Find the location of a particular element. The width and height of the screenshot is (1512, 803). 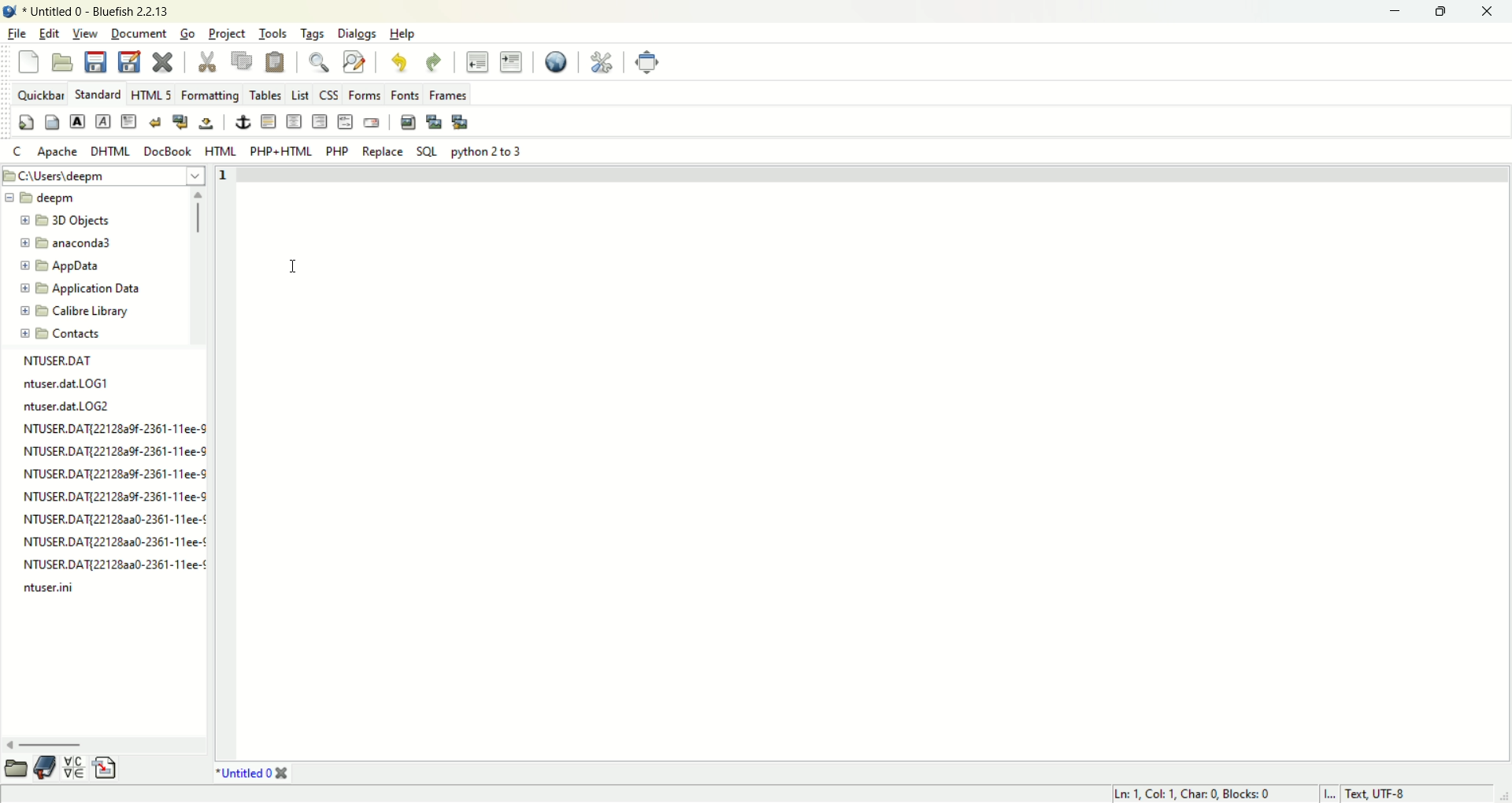

NTUSER.DAT{22128aa0-2361-11ee-¢ is located at coordinates (115, 546).